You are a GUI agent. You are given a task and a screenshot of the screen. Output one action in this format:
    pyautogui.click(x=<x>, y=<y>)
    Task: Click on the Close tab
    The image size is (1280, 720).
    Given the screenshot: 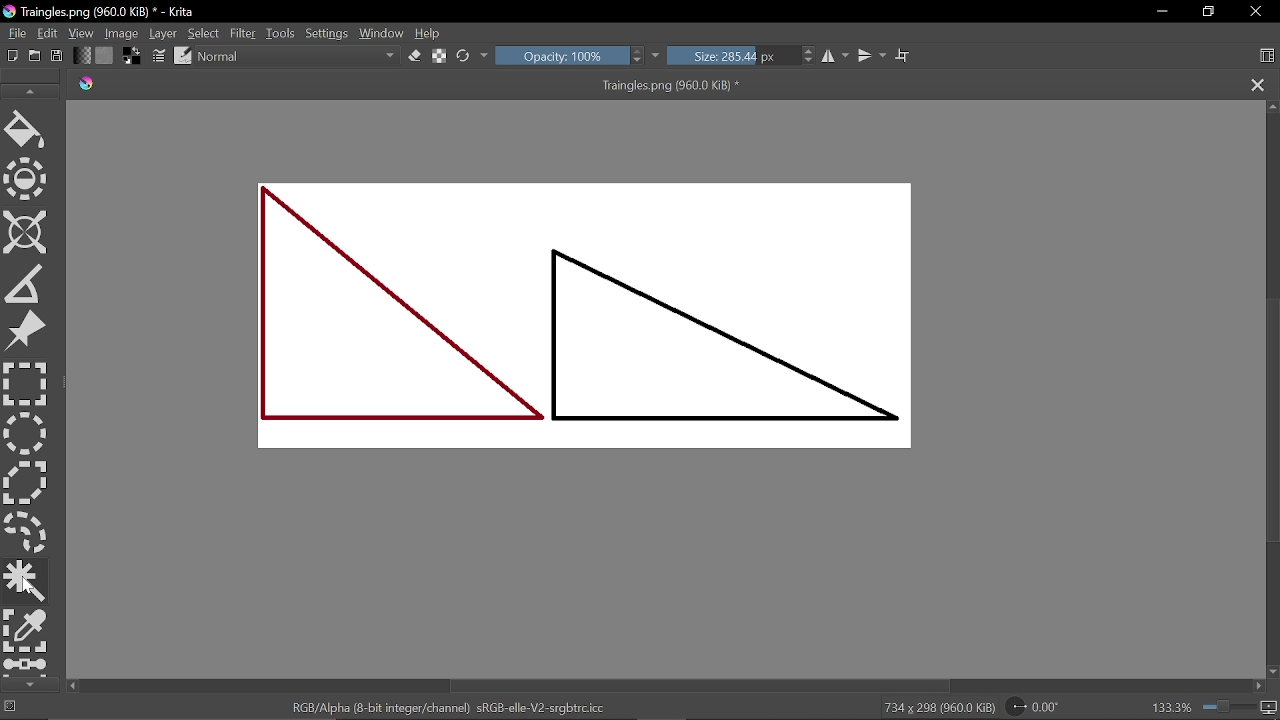 What is the action you would take?
    pyautogui.click(x=1254, y=84)
    